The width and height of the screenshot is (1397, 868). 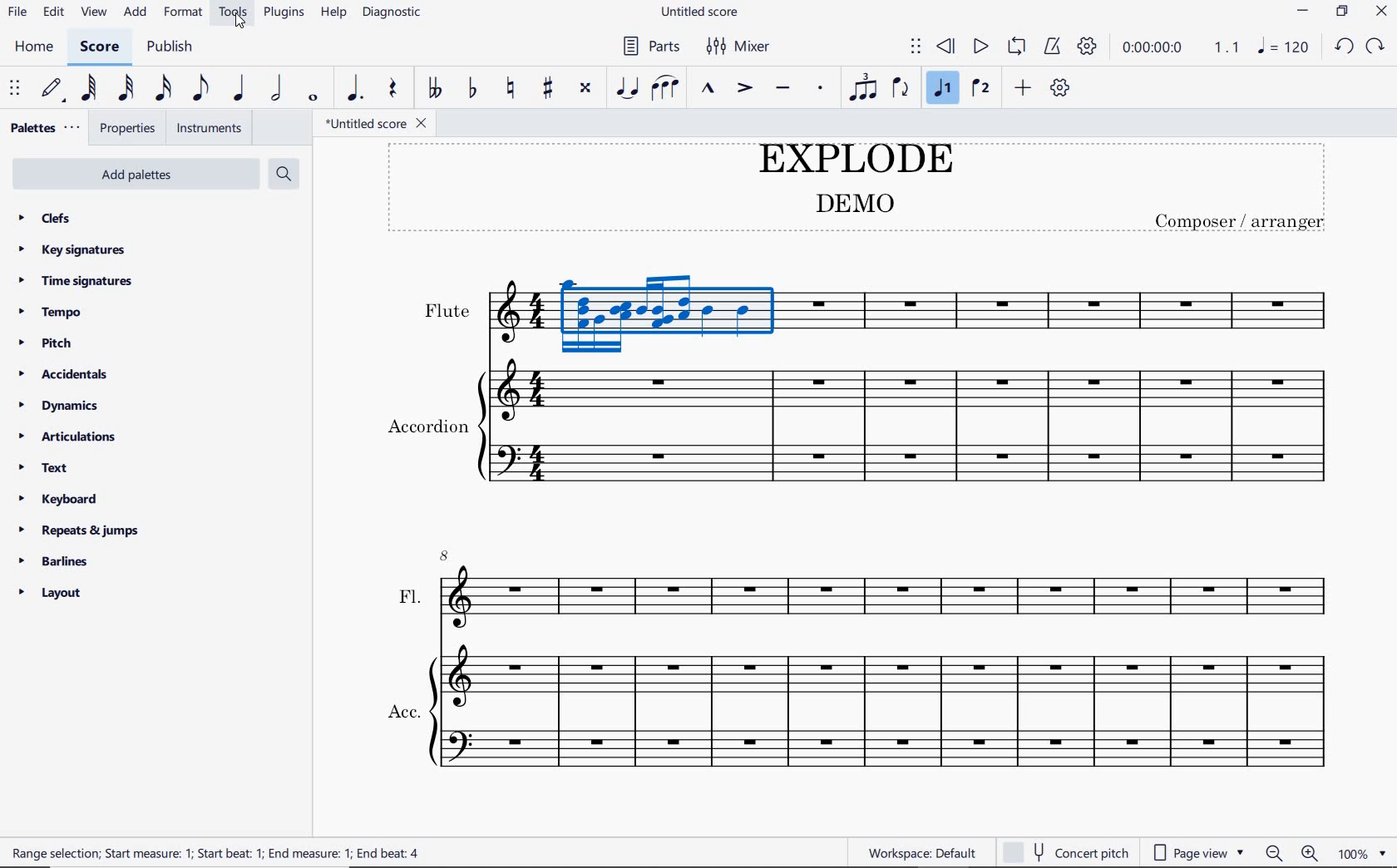 I want to click on half note, so click(x=278, y=90).